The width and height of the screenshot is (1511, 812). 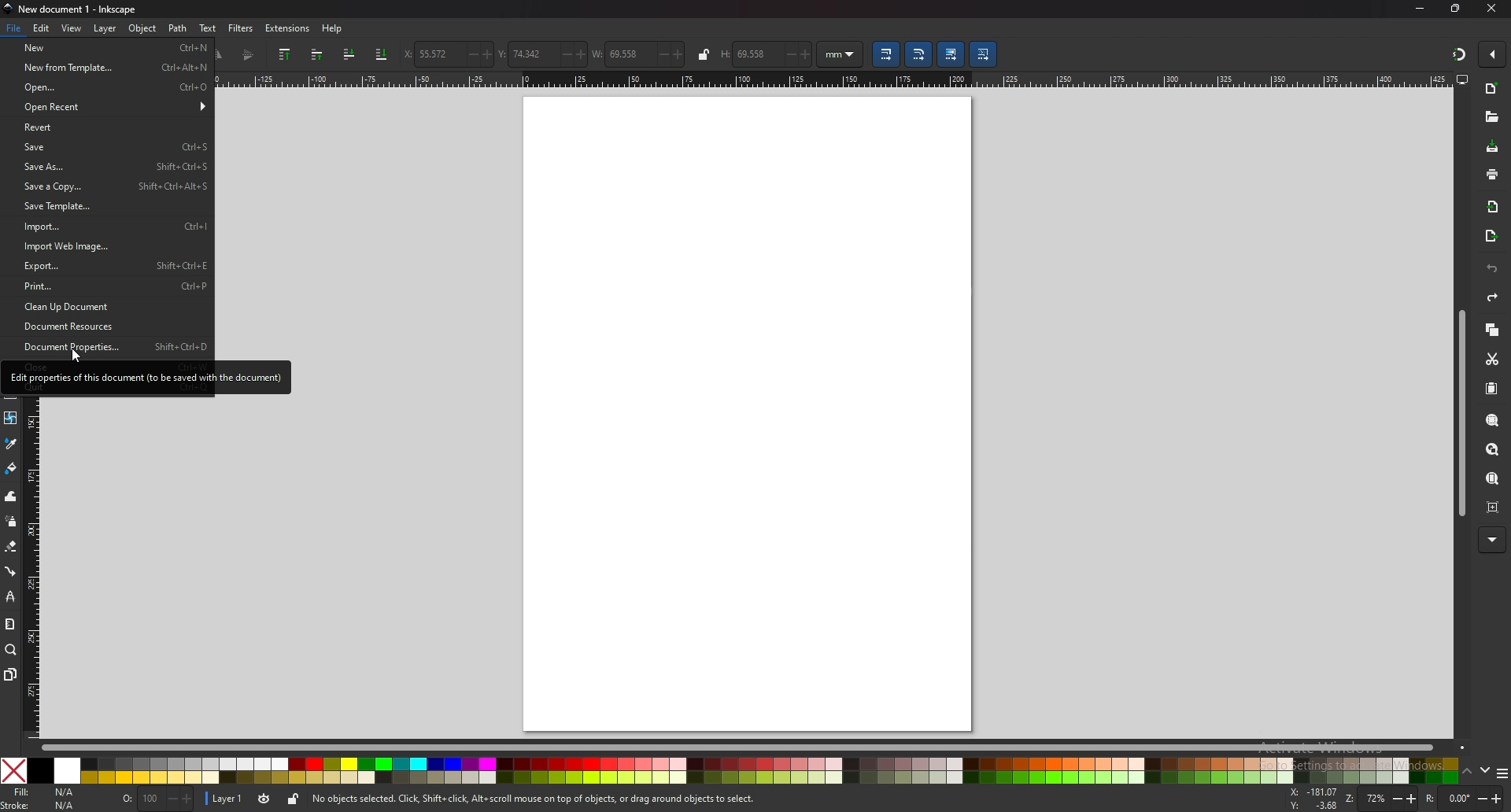 I want to click on unlock, so click(x=290, y=800).